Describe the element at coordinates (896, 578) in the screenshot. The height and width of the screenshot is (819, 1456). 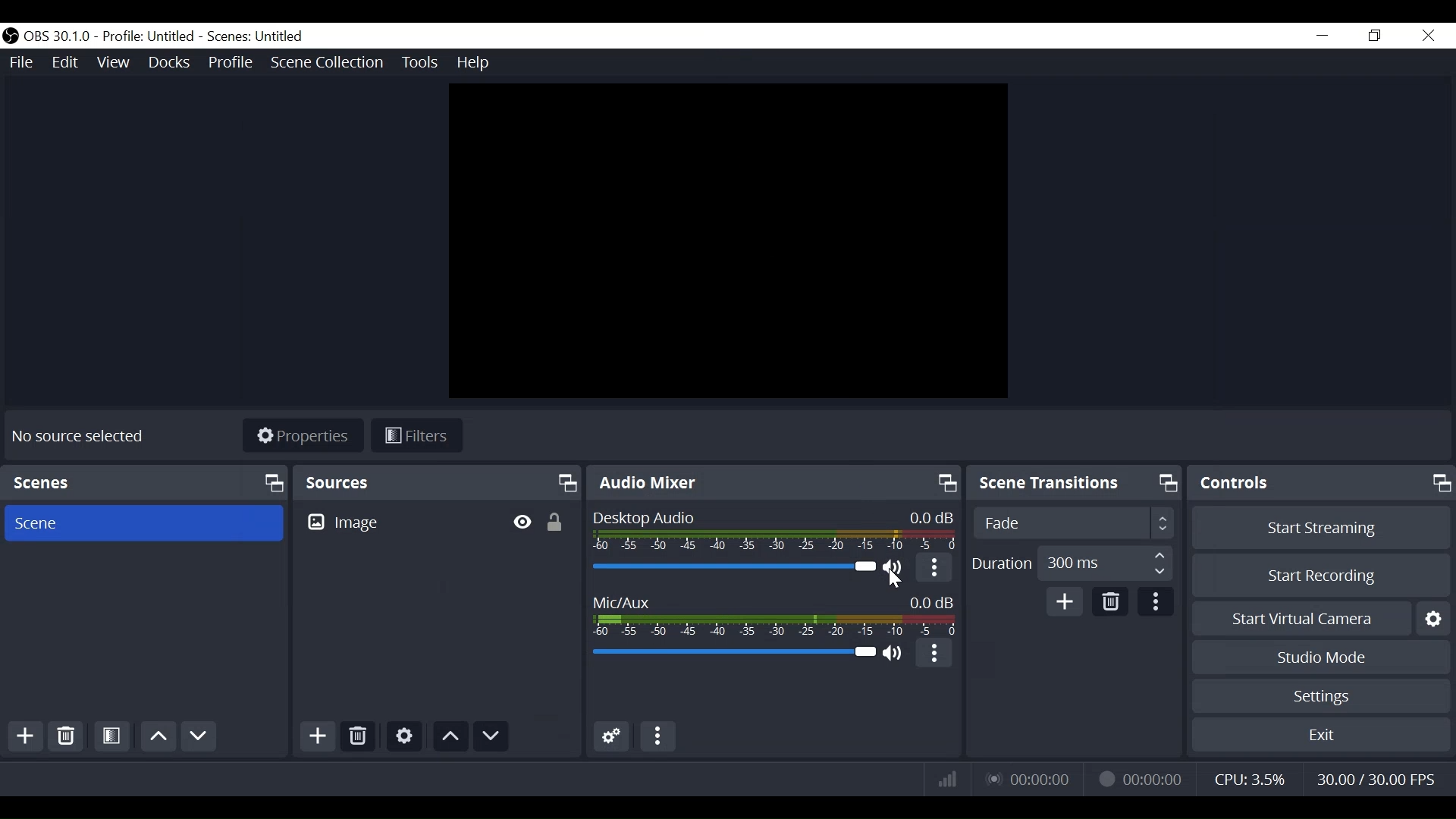
I see `Cursor` at that location.